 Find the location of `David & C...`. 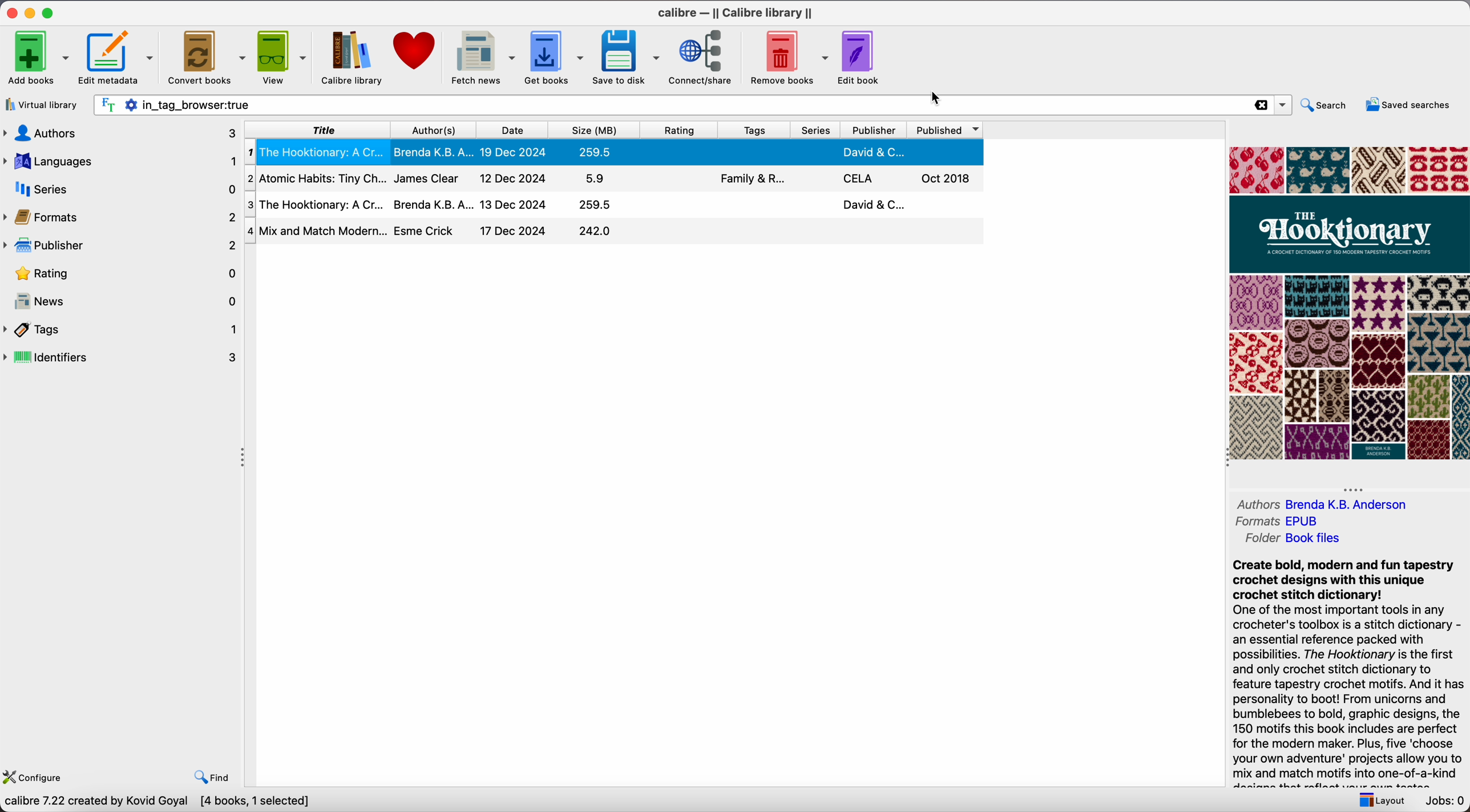

David & C... is located at coordinates (876, 152).